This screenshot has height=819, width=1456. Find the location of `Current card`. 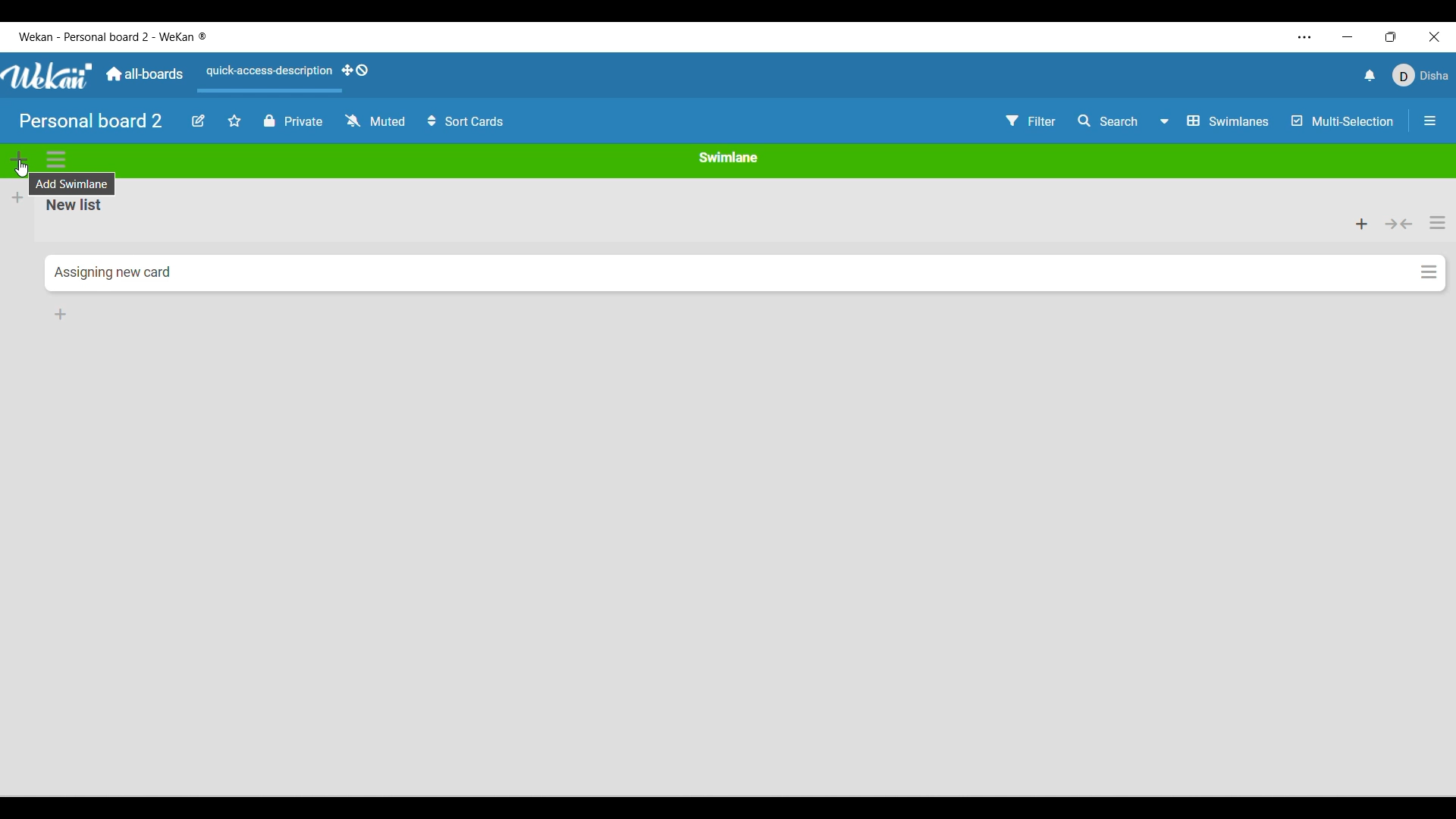

Current card is located at coordinates (729, 273).